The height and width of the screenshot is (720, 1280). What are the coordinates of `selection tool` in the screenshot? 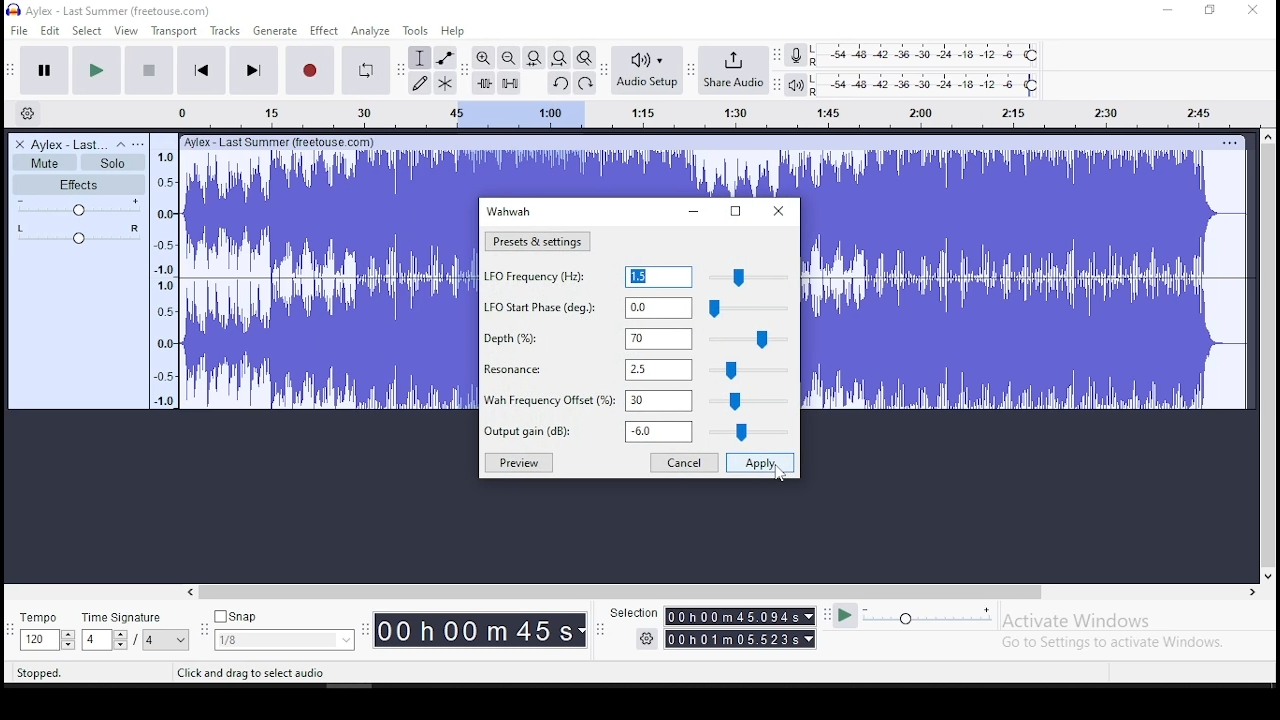 It's located at (420, 57).